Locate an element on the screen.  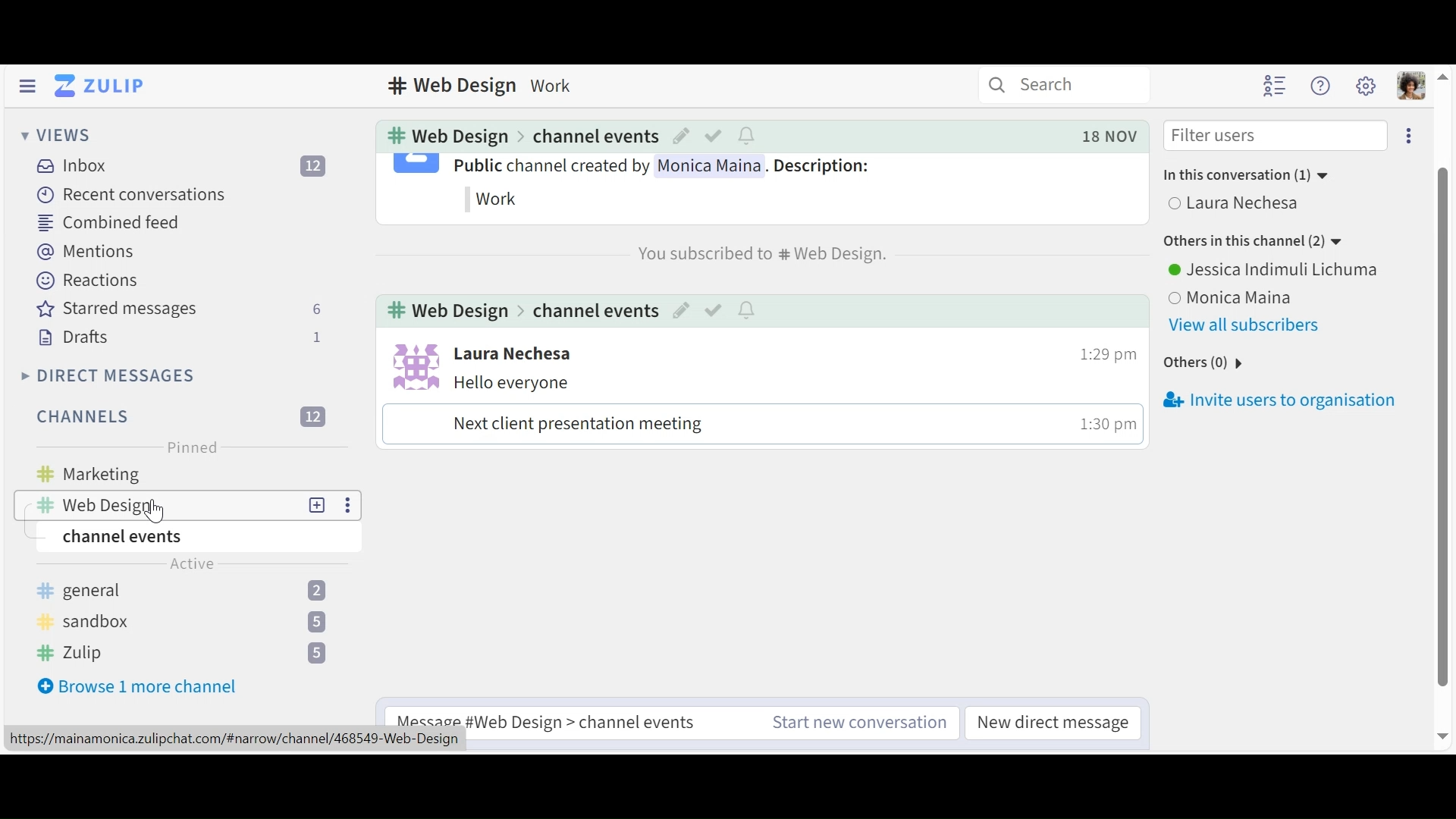
Marketing is located at coordinates (197, 475).